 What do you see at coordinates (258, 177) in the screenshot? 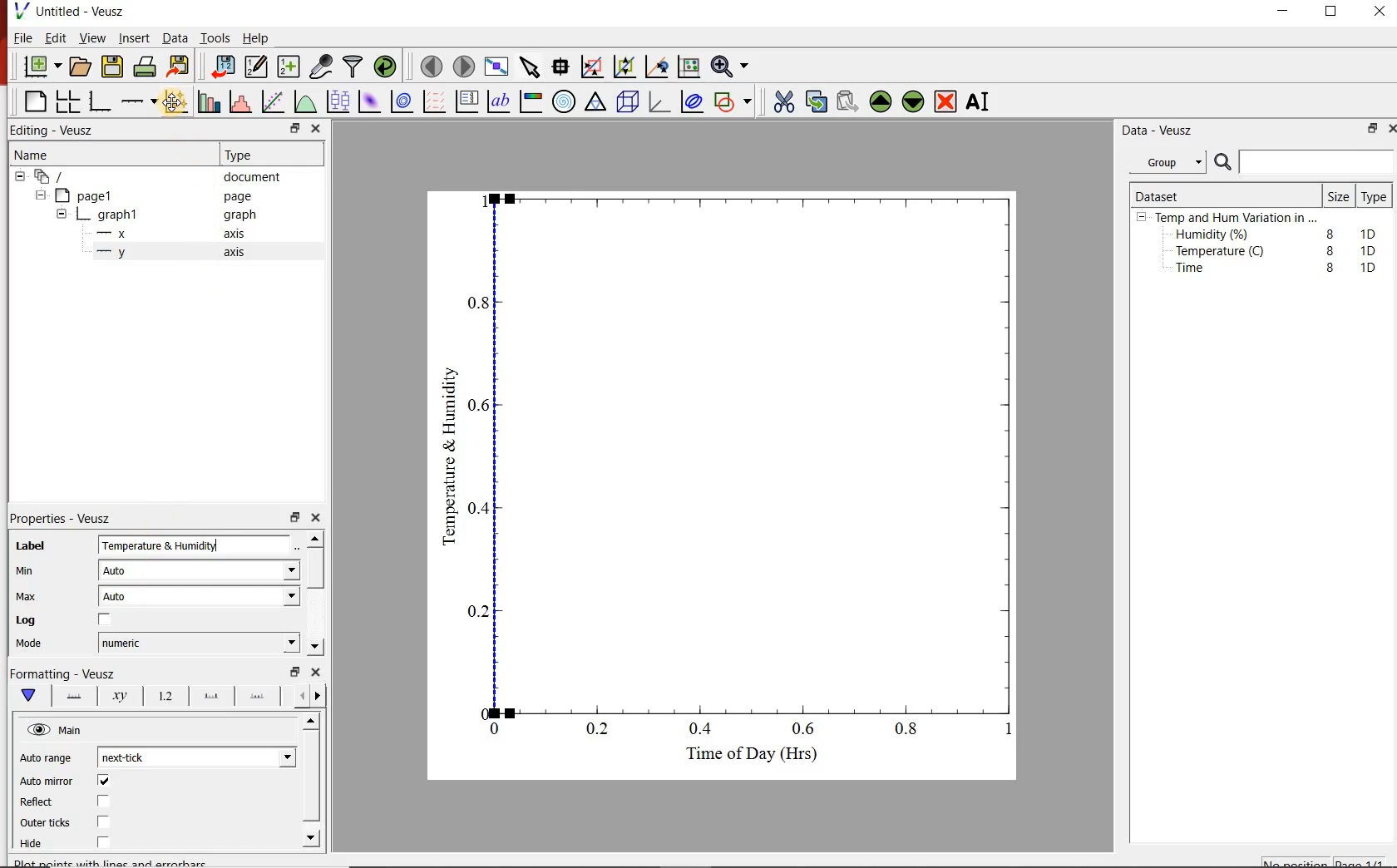
I see `document` at bounding box center [258, 177].